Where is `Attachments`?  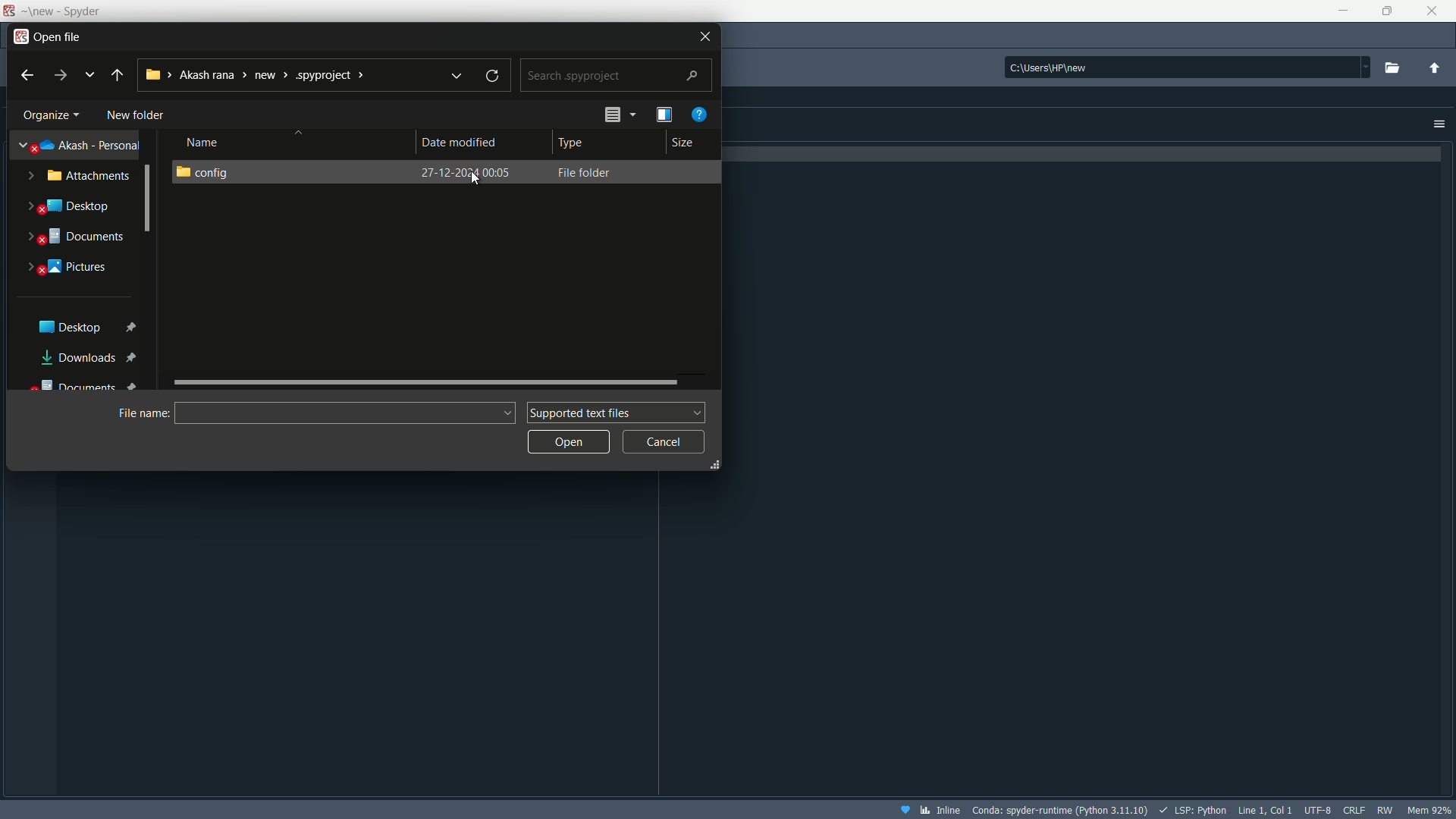 Attachments is located at coordinates (88, 177).